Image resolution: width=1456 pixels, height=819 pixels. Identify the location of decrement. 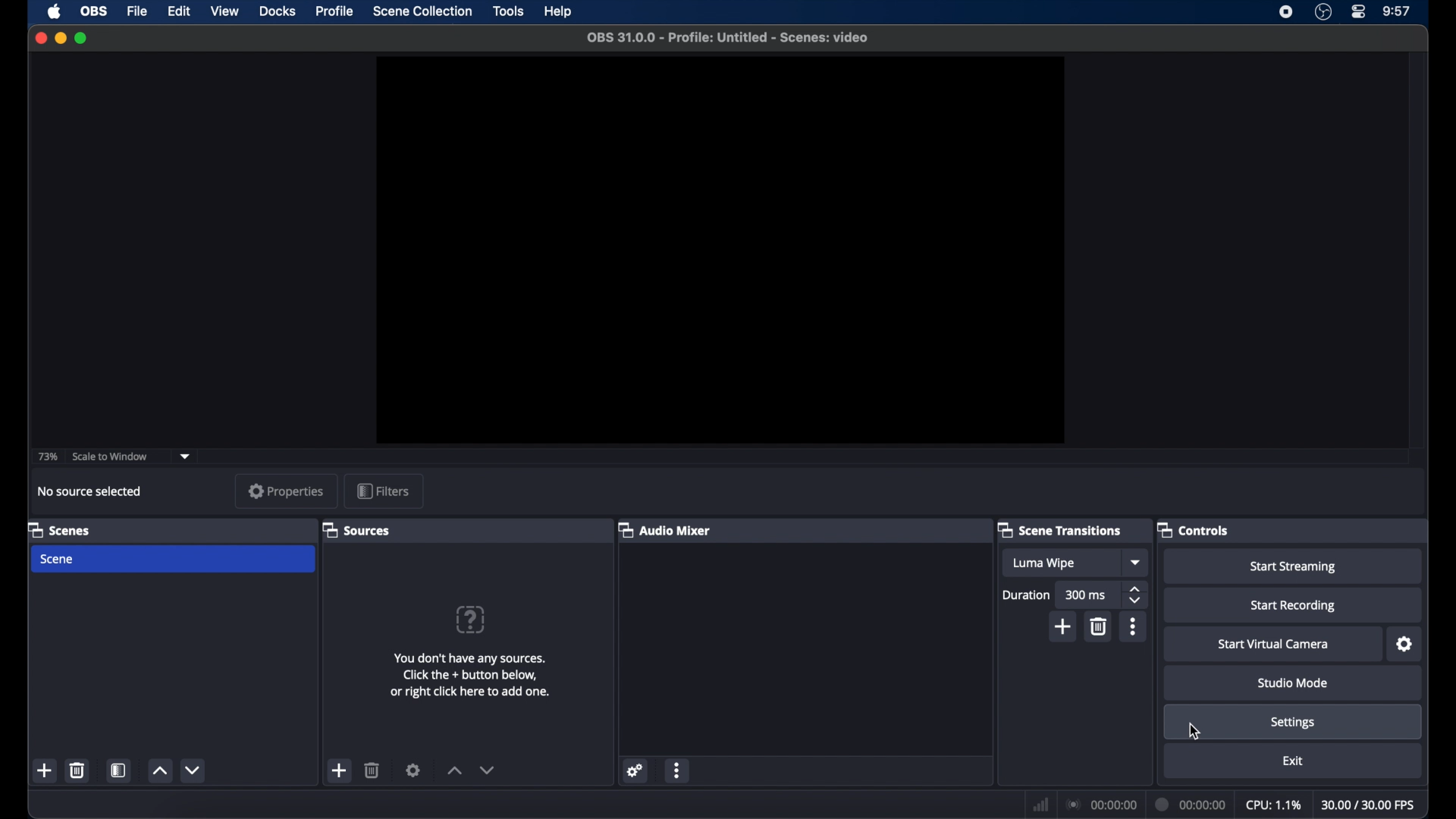
(194, 770).